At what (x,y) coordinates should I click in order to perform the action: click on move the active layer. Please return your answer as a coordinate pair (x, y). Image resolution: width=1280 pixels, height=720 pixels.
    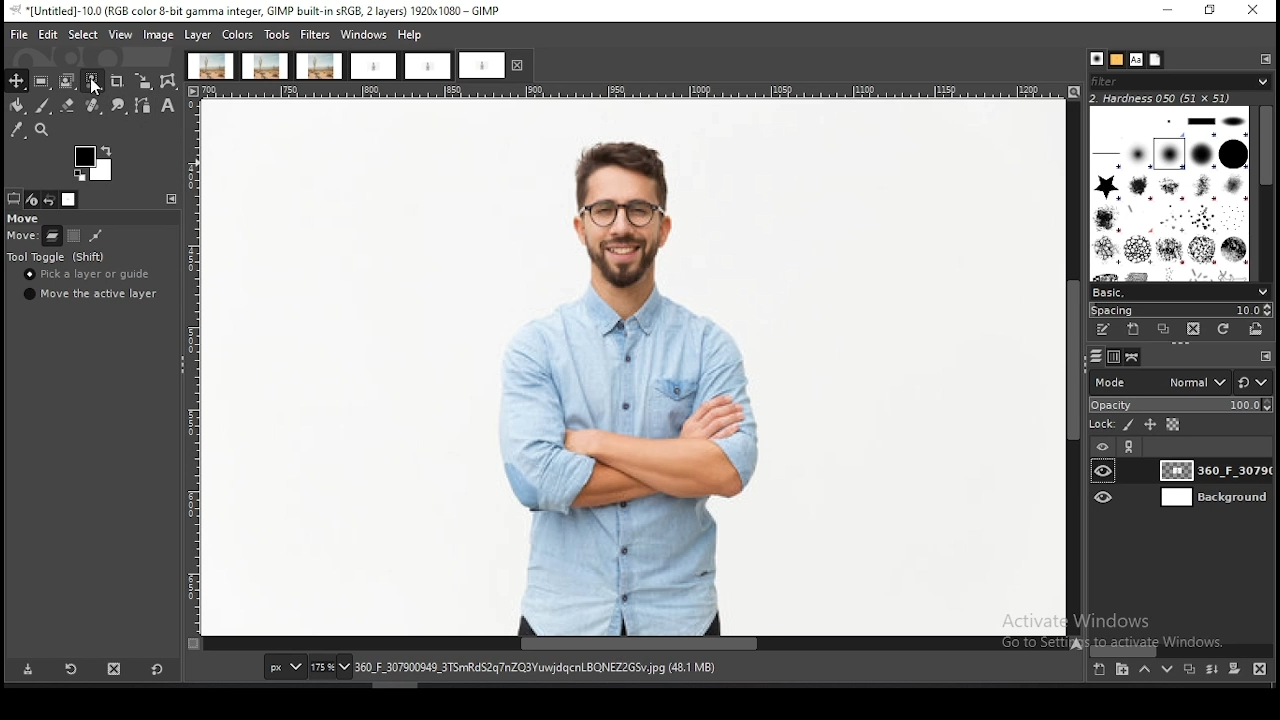
    Looking at the image, I should click on (93, 295).